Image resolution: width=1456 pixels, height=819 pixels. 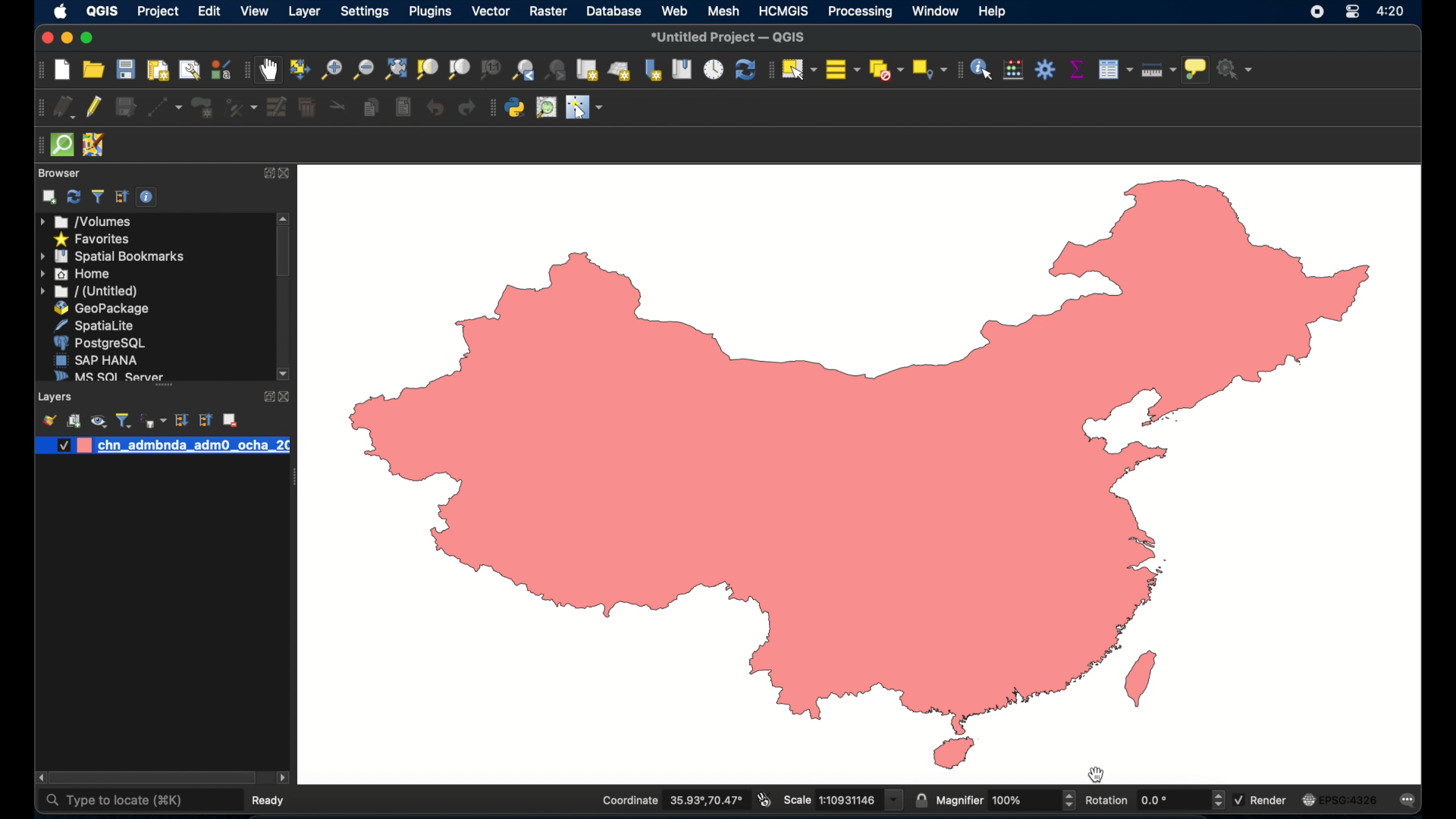 What do you see at coordinates (87, 291) in the screenshot?
I see `untitled menu` at bounding box center [87, 291].